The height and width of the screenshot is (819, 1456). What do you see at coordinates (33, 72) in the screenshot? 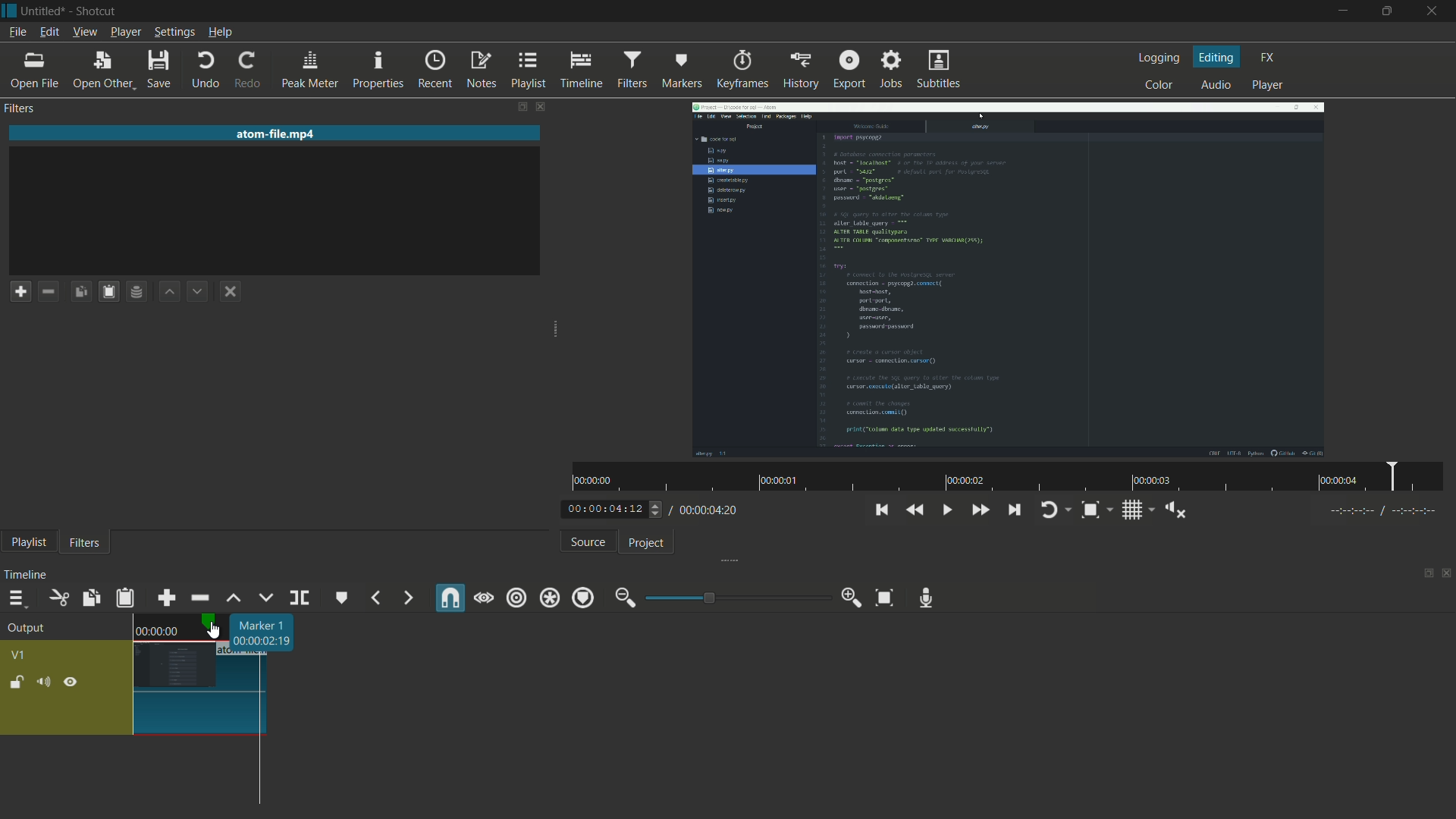
I see `open file` at bounding box center [33, 72].